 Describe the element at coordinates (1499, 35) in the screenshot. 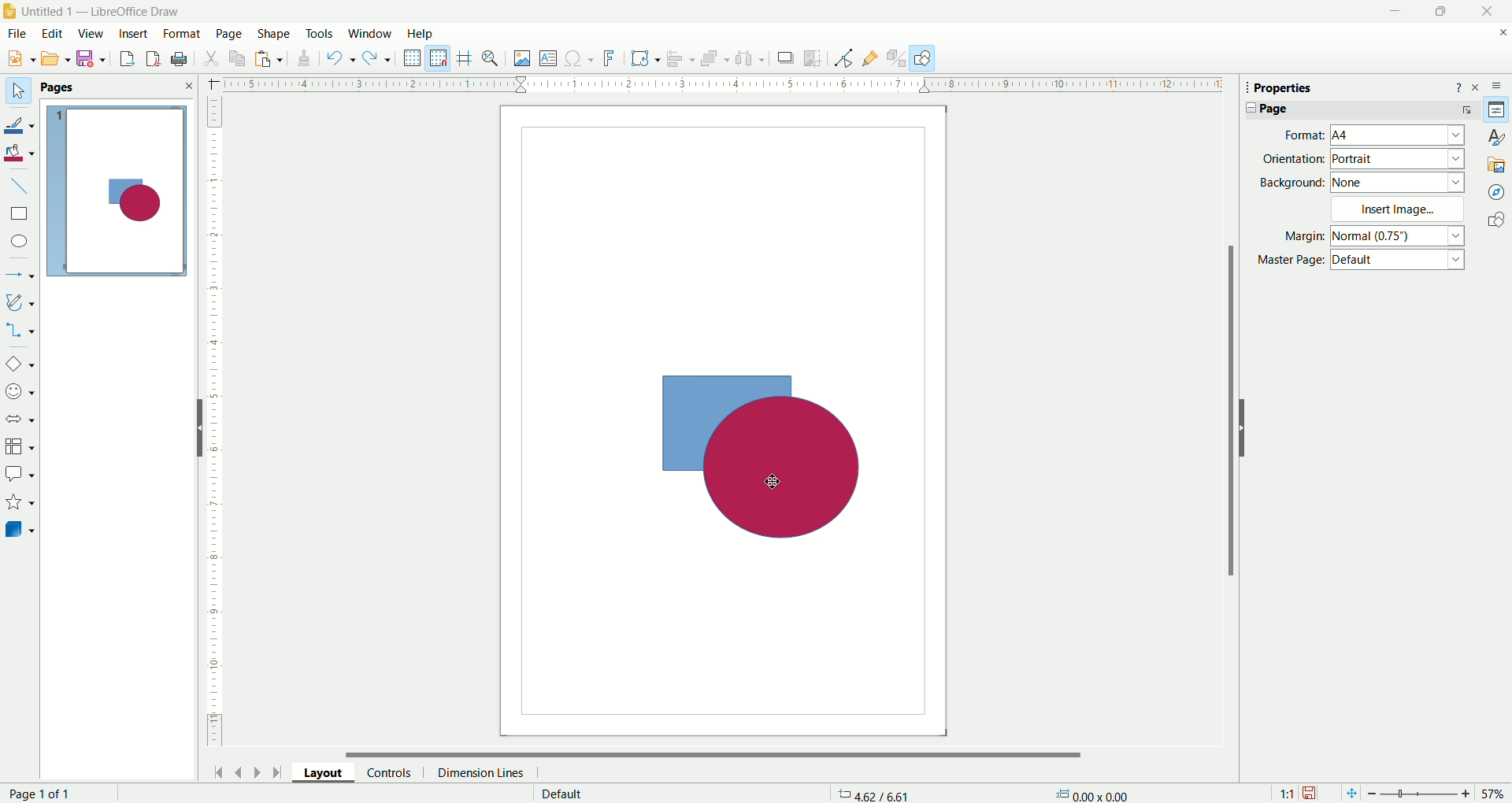

I see `close` at that location.